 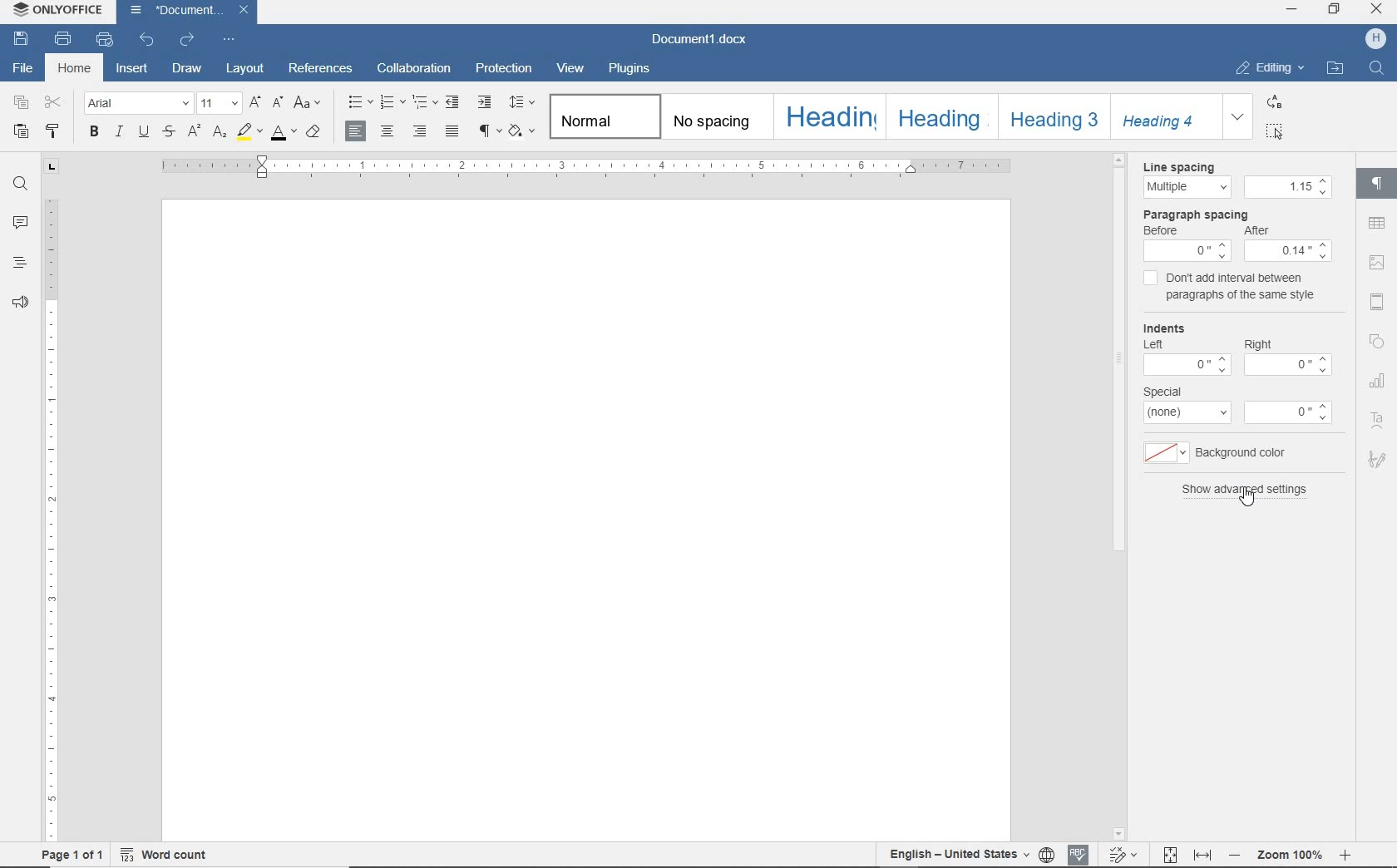 I want to click on paragraph line spacing, so click(x=524, y=103).